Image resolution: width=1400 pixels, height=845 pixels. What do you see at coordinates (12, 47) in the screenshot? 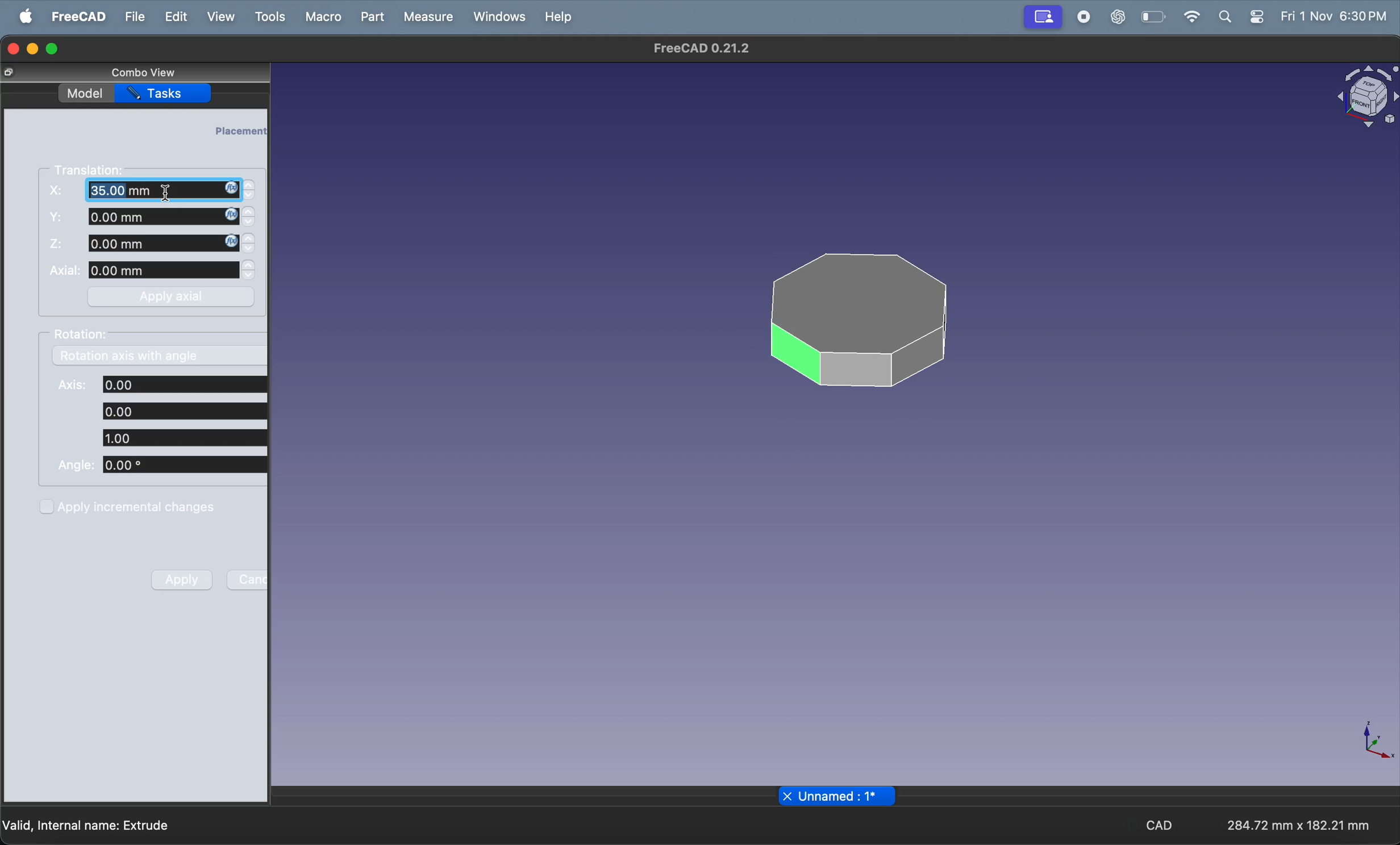
I see `closing window` at bounding box center [12, 47].